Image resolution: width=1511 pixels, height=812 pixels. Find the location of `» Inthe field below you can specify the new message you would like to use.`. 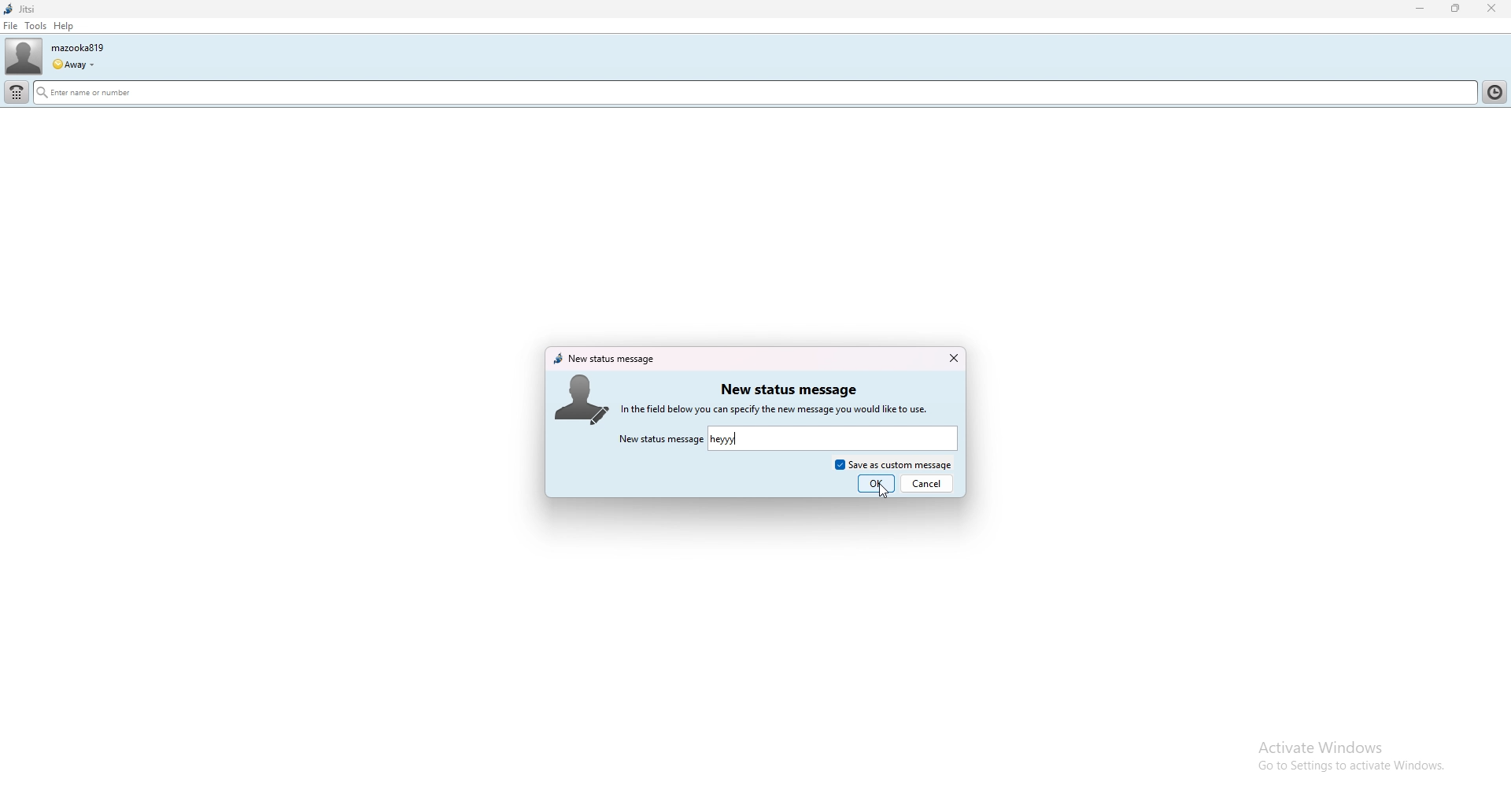

» Inthe field below you can specify the new message you would like to use. is located at coordinates (790, 409).